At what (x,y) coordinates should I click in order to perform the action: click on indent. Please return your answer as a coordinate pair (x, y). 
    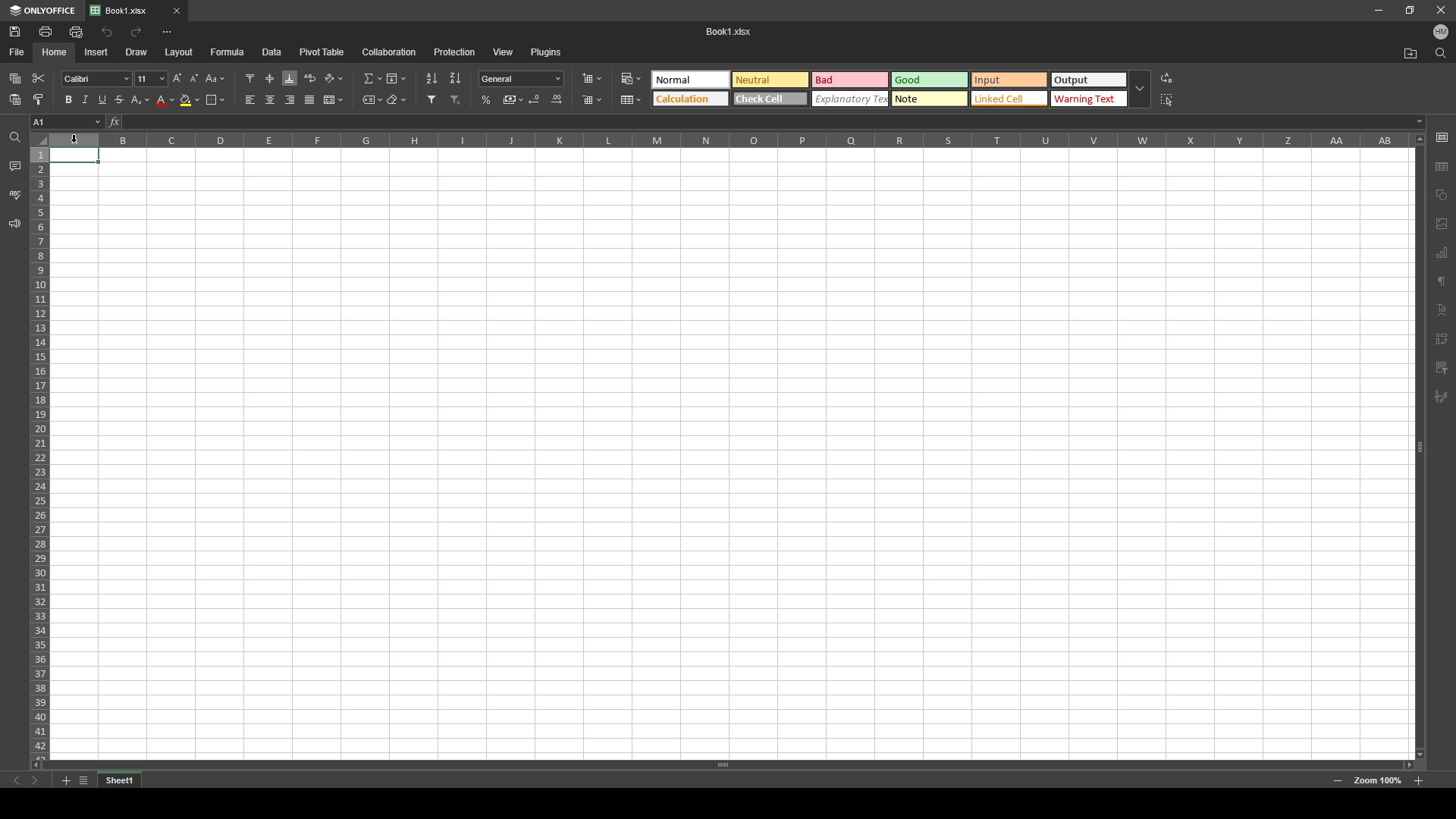
    Looking at the image, I should click on (1442, 340).